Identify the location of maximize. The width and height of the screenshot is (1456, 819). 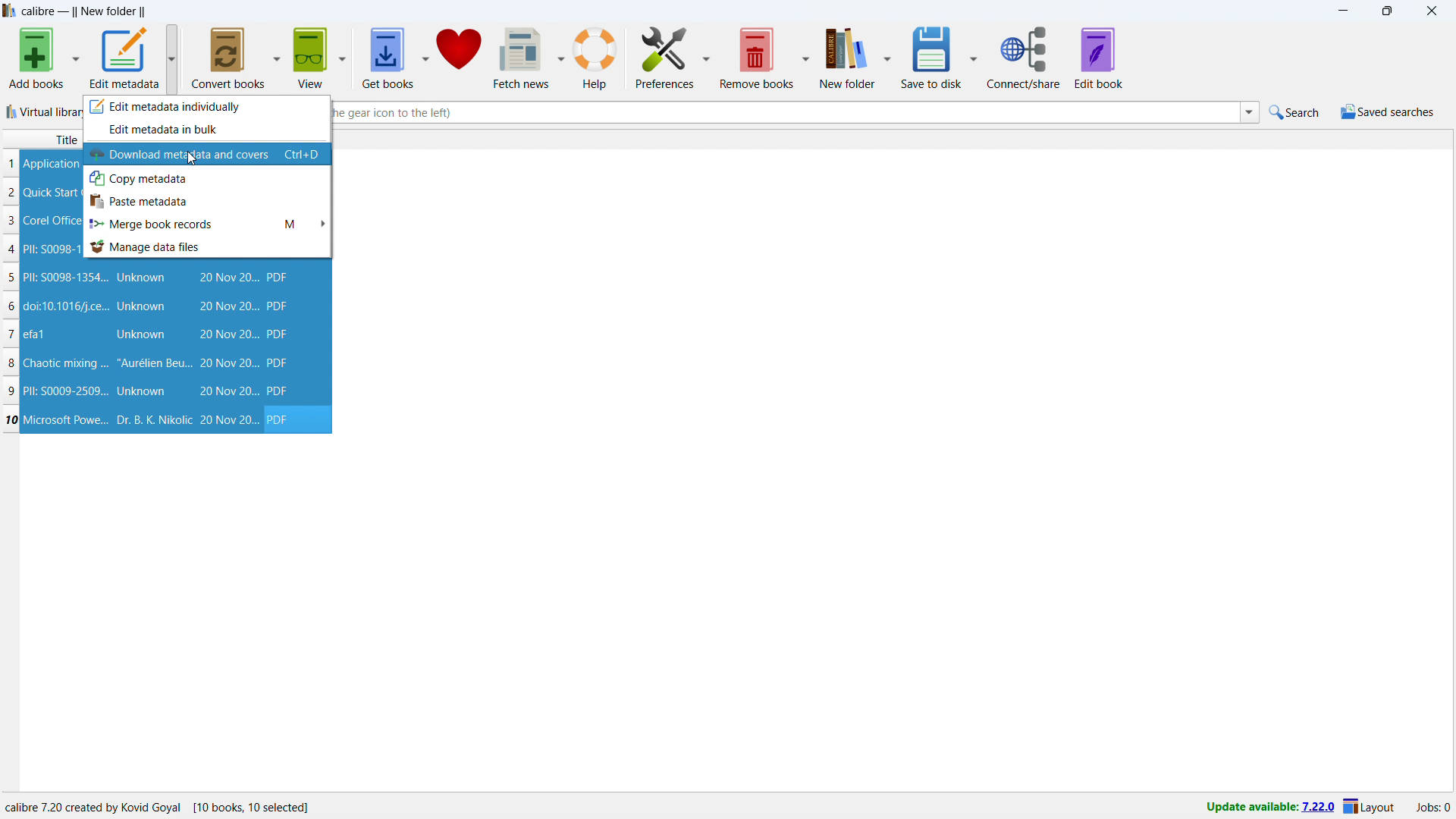
(1386, 11).